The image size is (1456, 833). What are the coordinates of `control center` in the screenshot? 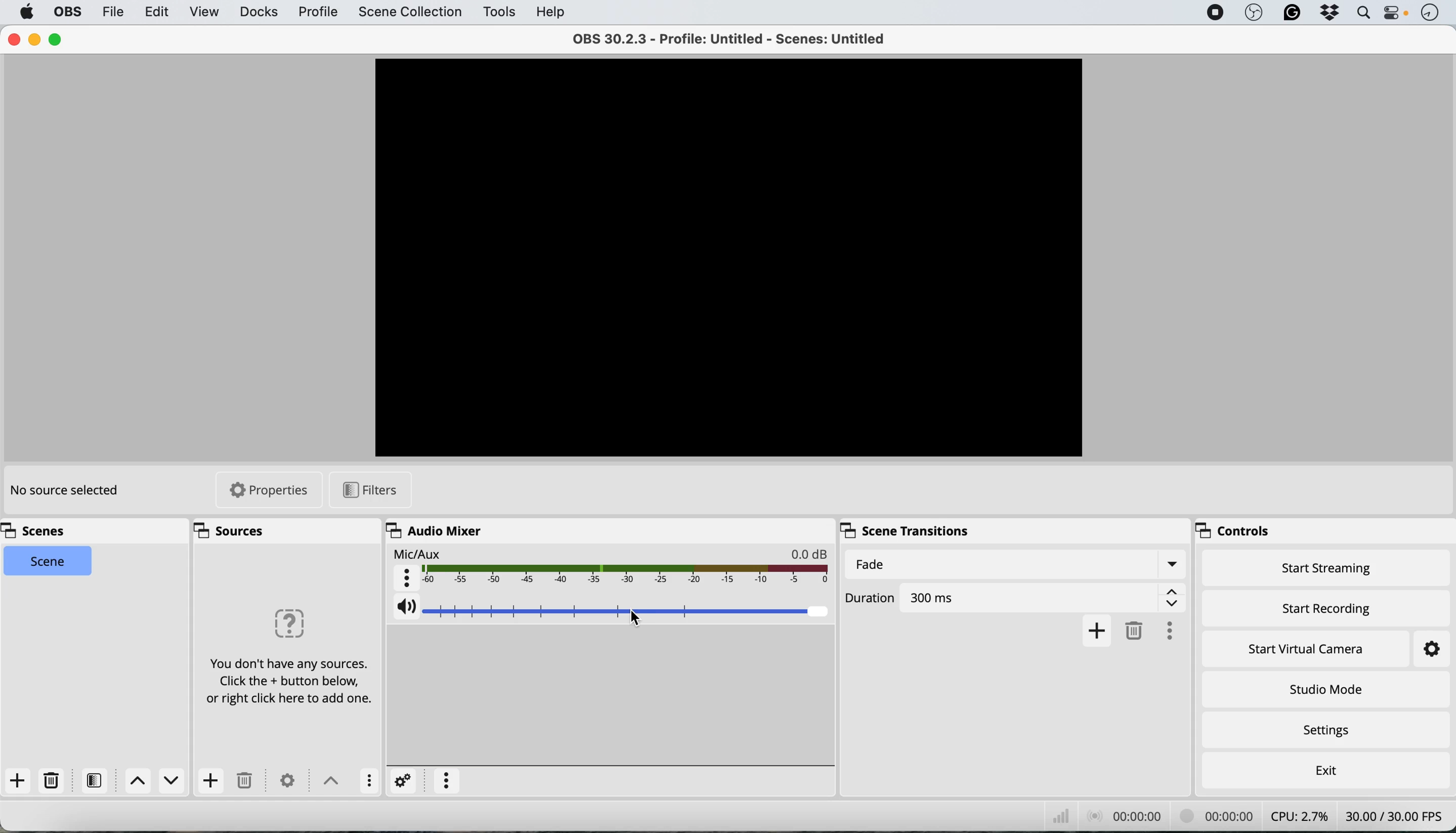 It's located at (1398, 15).